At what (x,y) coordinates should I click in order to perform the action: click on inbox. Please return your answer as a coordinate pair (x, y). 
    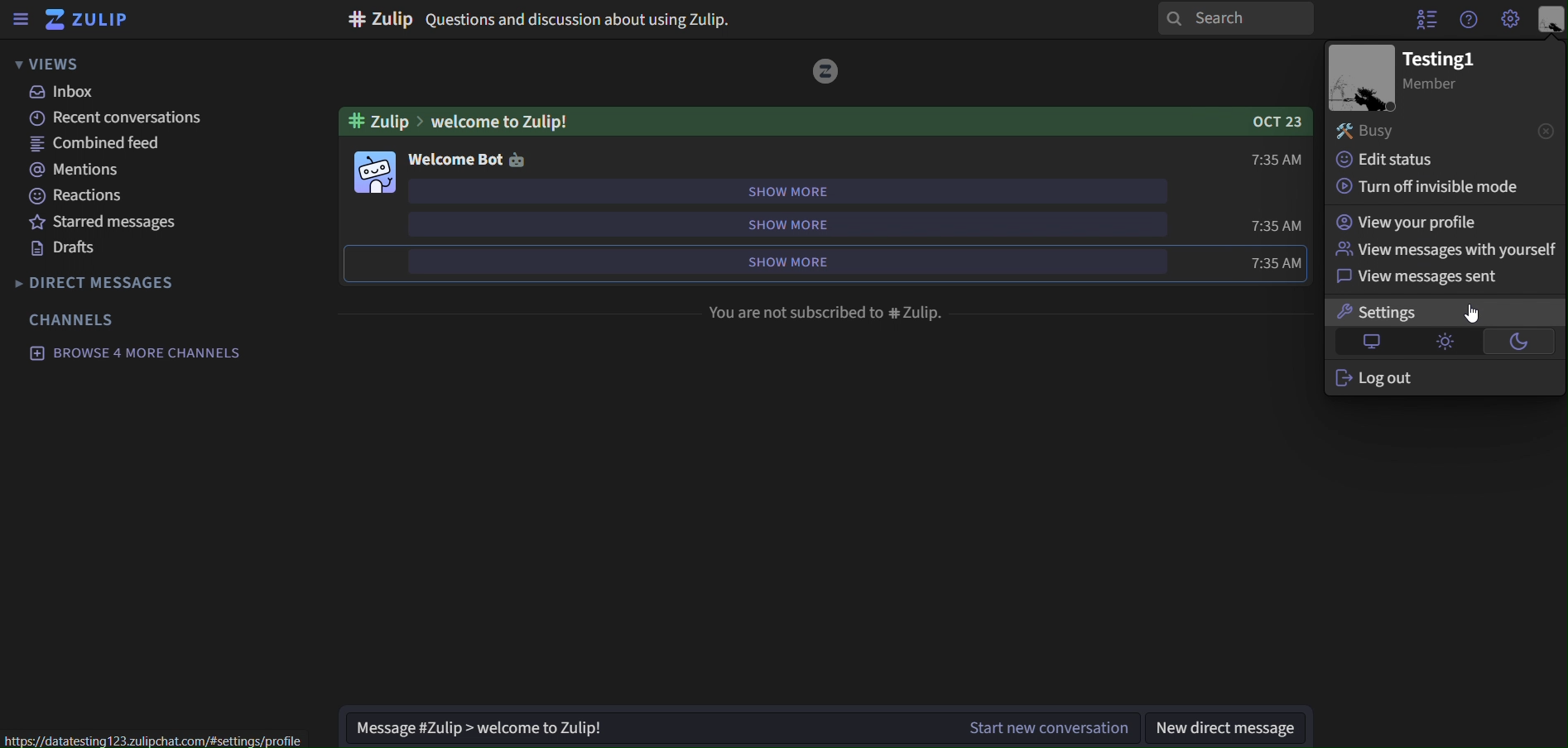
    Looking at the image, I should click on (65, 91).